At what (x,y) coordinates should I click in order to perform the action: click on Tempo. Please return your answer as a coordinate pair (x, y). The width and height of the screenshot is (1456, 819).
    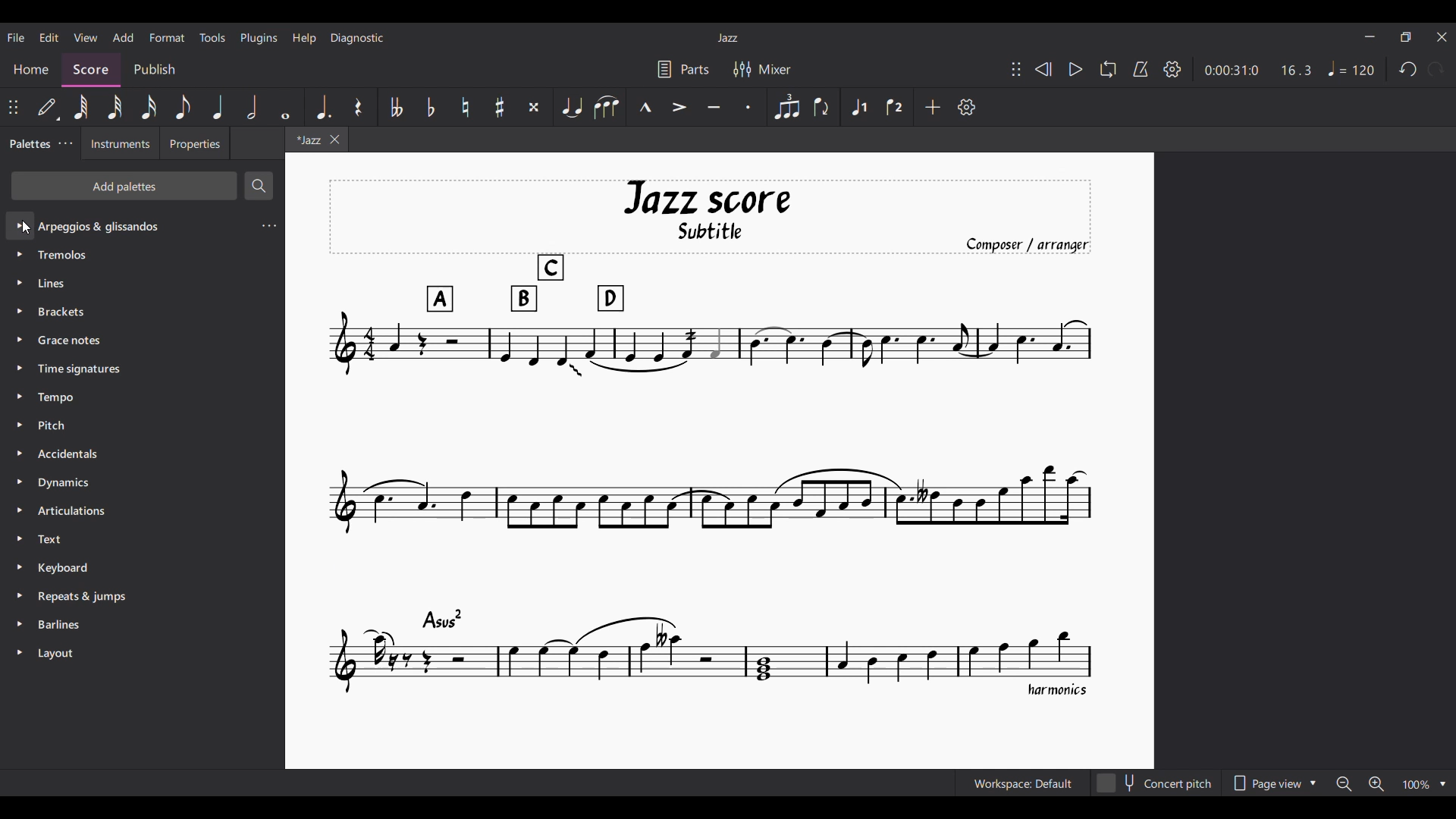
    Looking at the image, I should click on (1351, 68).